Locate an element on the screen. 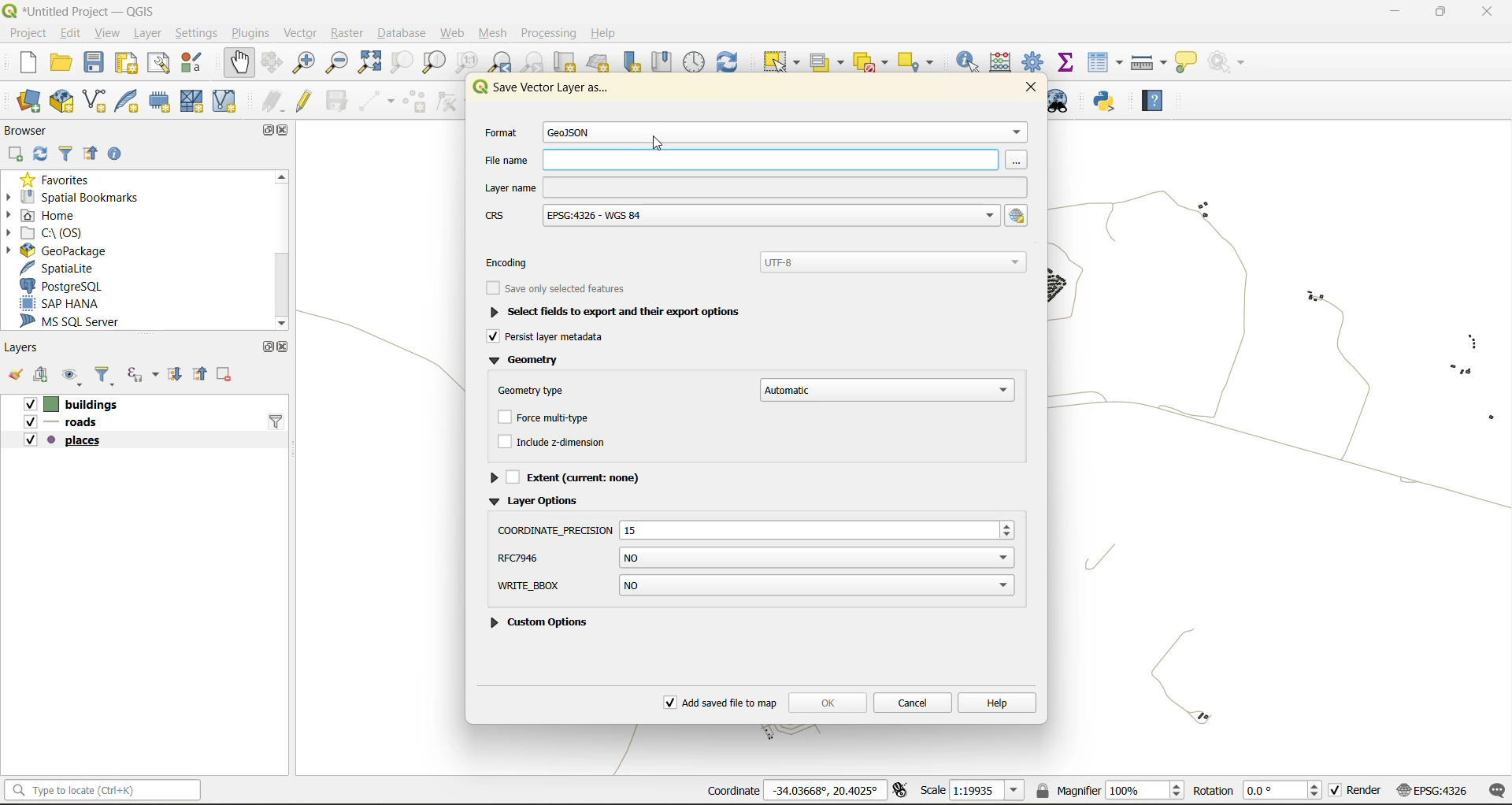 The image size is (1512, 805). control panel is located at coordinates (695, 61).